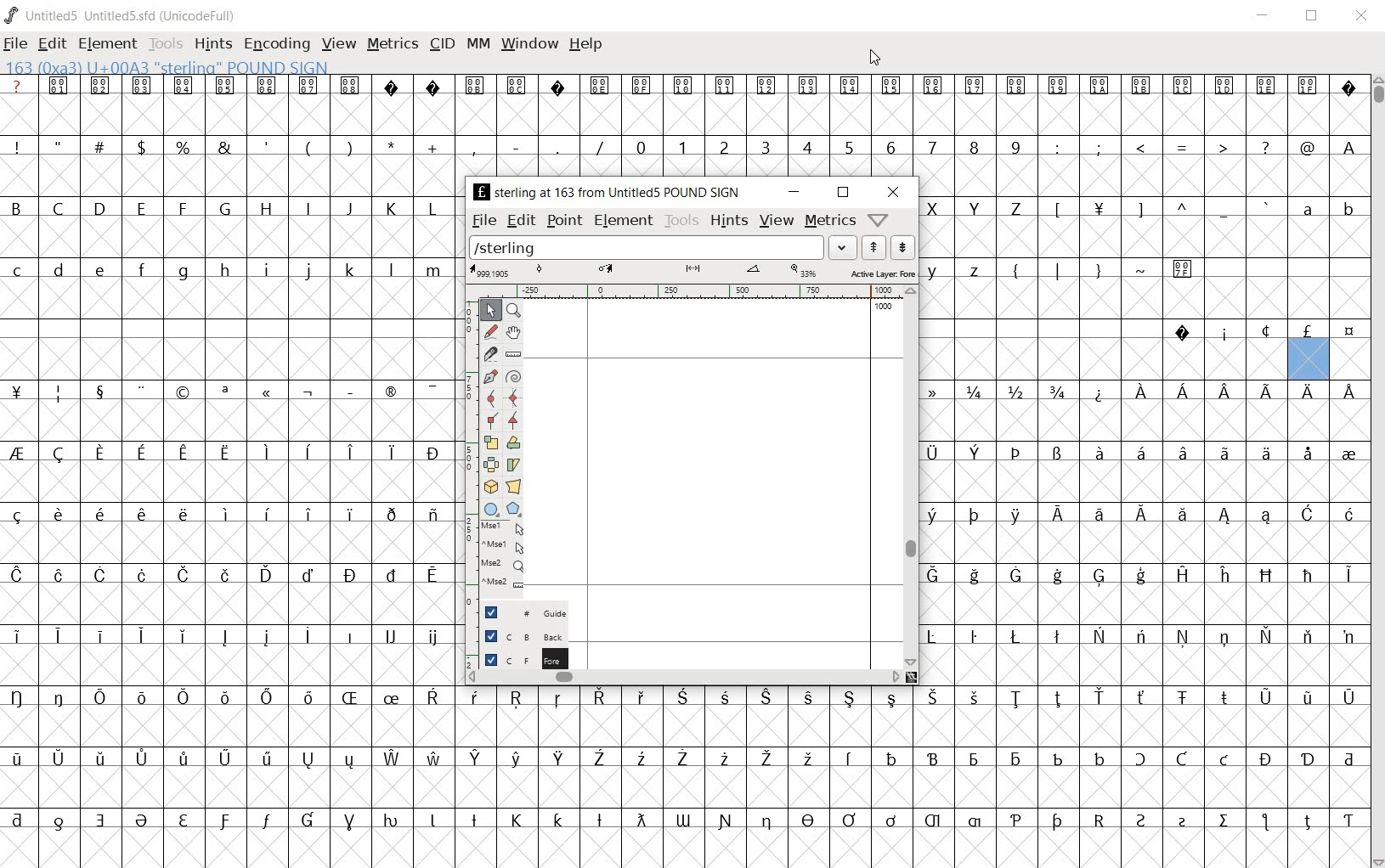 The width and height of the screenshot is (1385, 868). I want to click on Symbol, so click(349, 634).